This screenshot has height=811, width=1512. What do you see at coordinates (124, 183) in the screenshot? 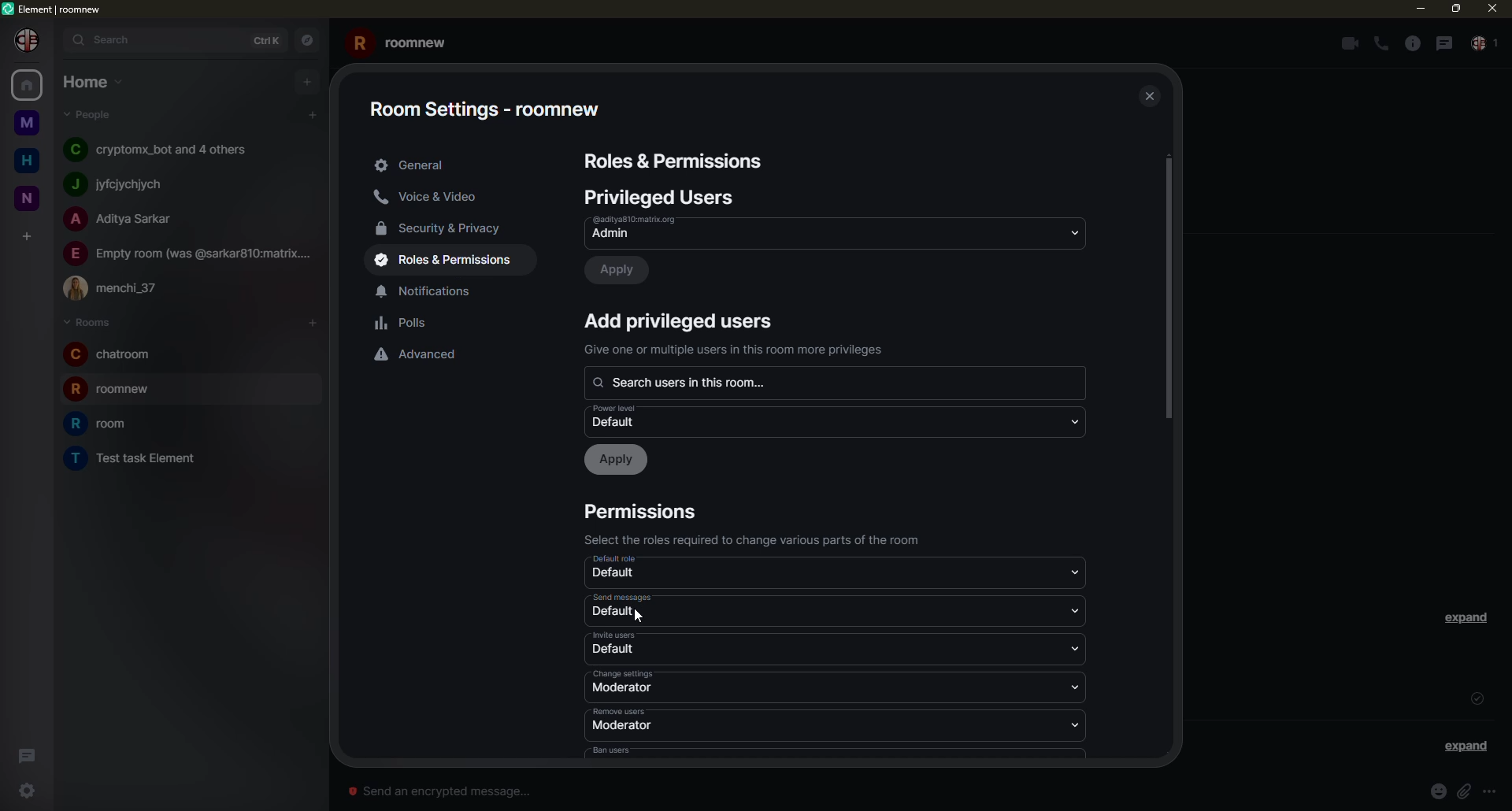
I see `people` at bounding box center [124, 183].